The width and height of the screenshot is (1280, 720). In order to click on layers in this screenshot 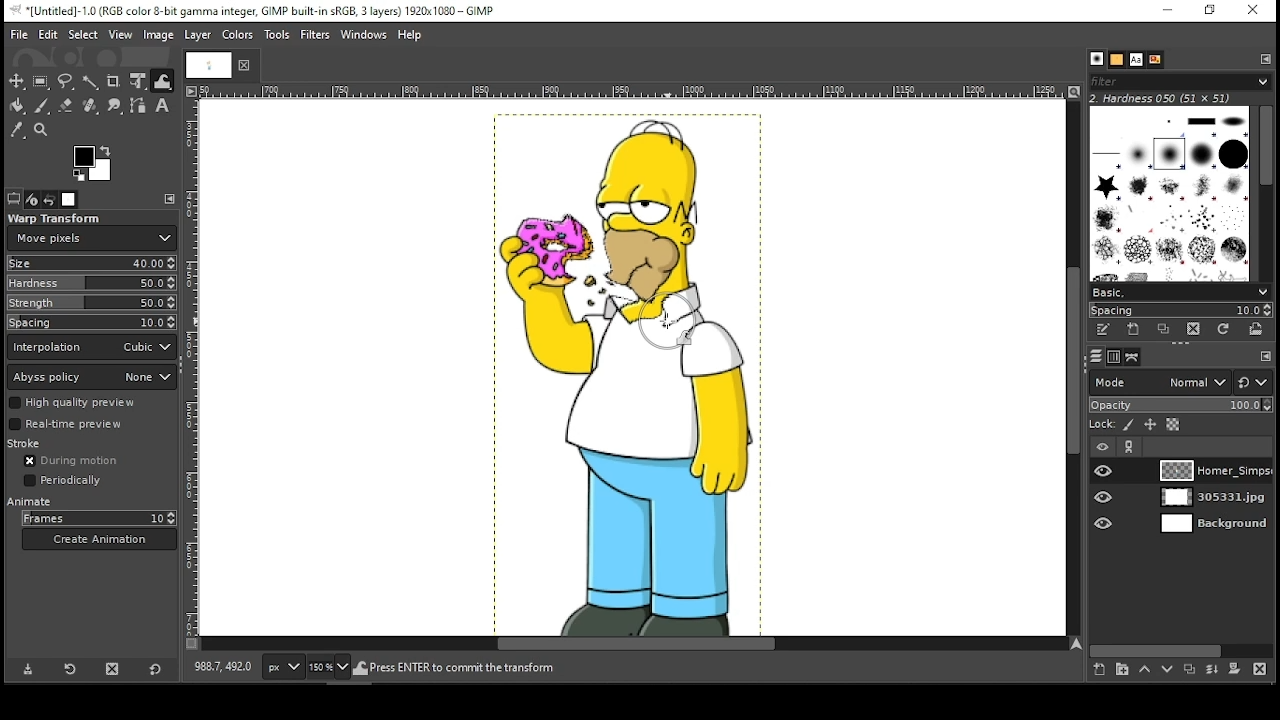, I will do `click(1096, 356)`.